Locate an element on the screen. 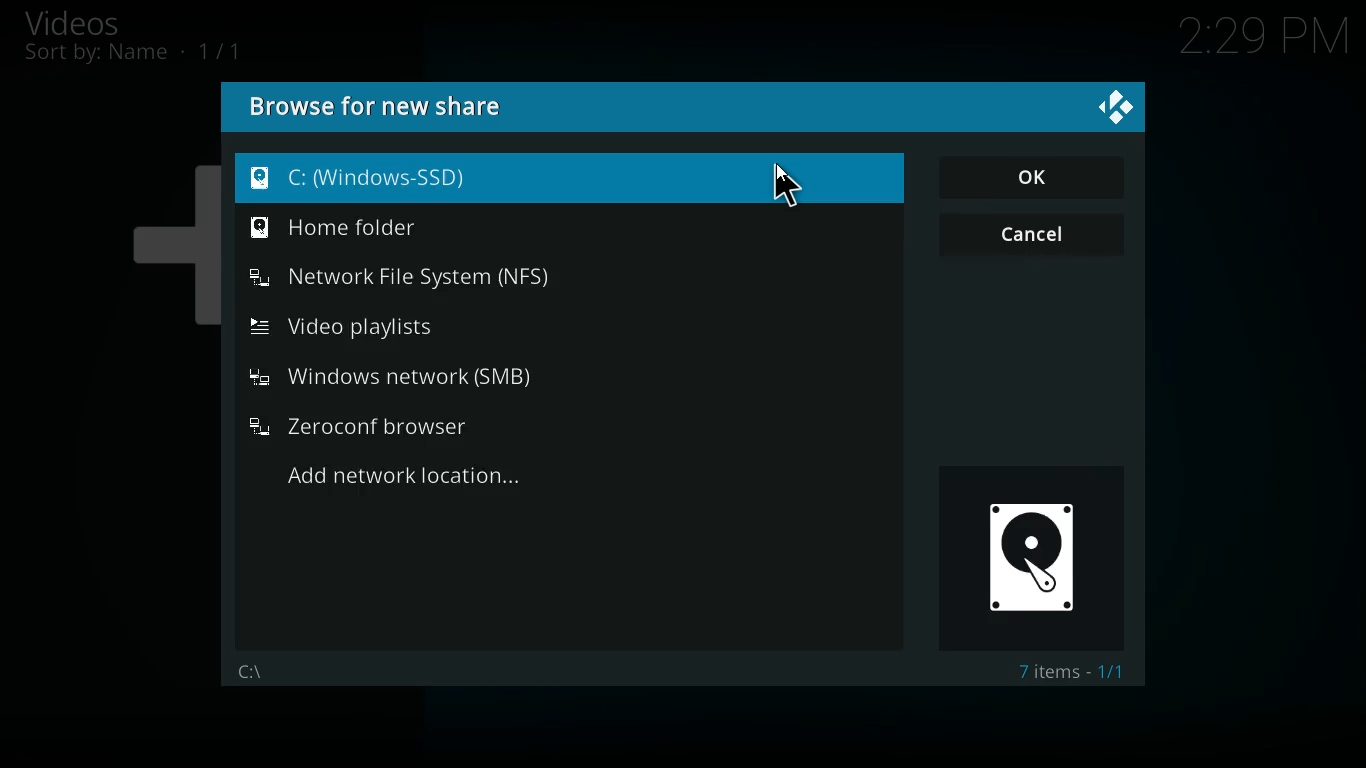 The width and height of the screenshot is (1366, 768). c:\ is located at coordinates (250, 671).